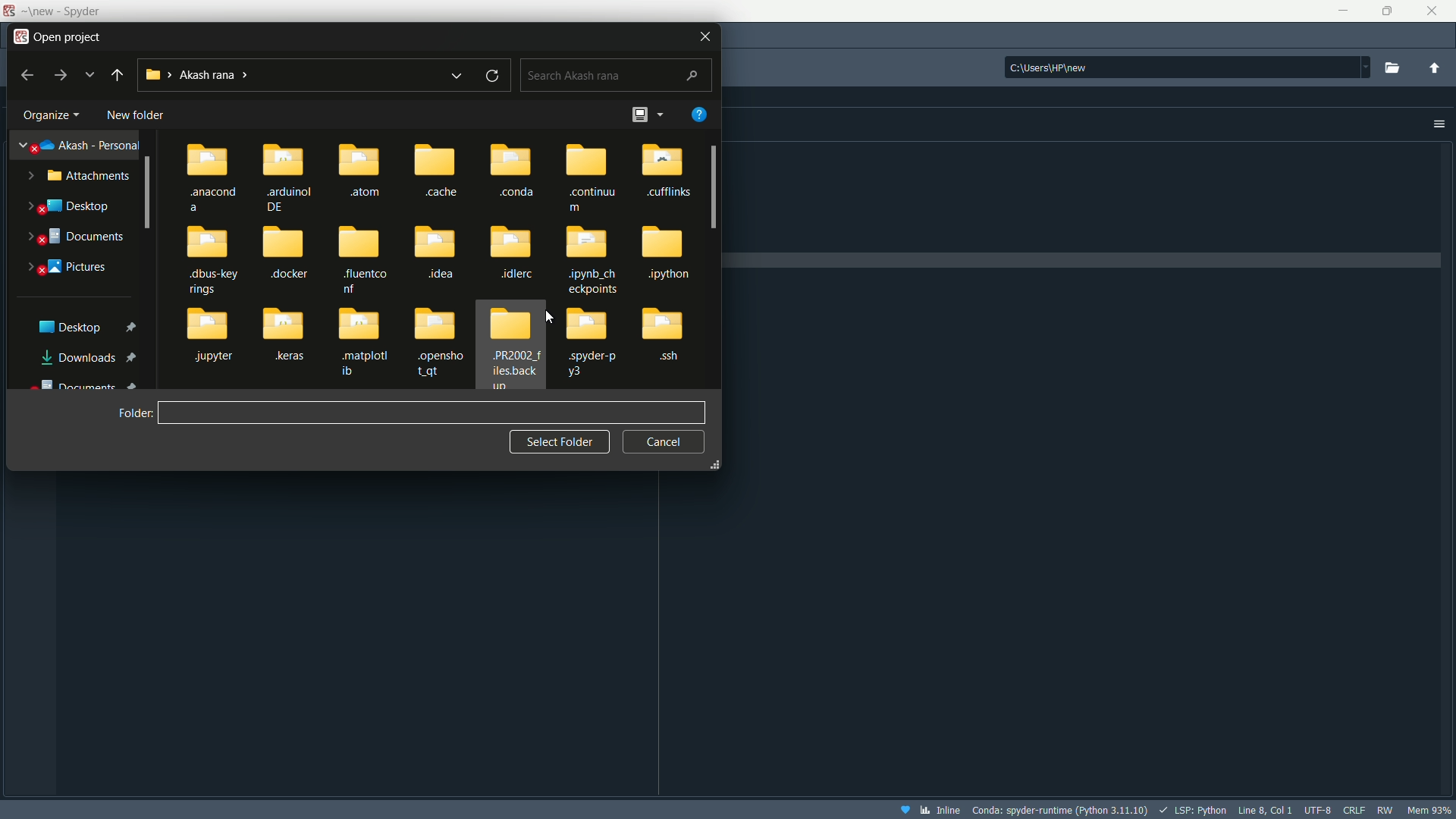 This screenshot has width=1456, height=819. What do you see at coordinates (1394, 67) in the screenshot?
I see `browse directory` at bounding box center [1394, 67].